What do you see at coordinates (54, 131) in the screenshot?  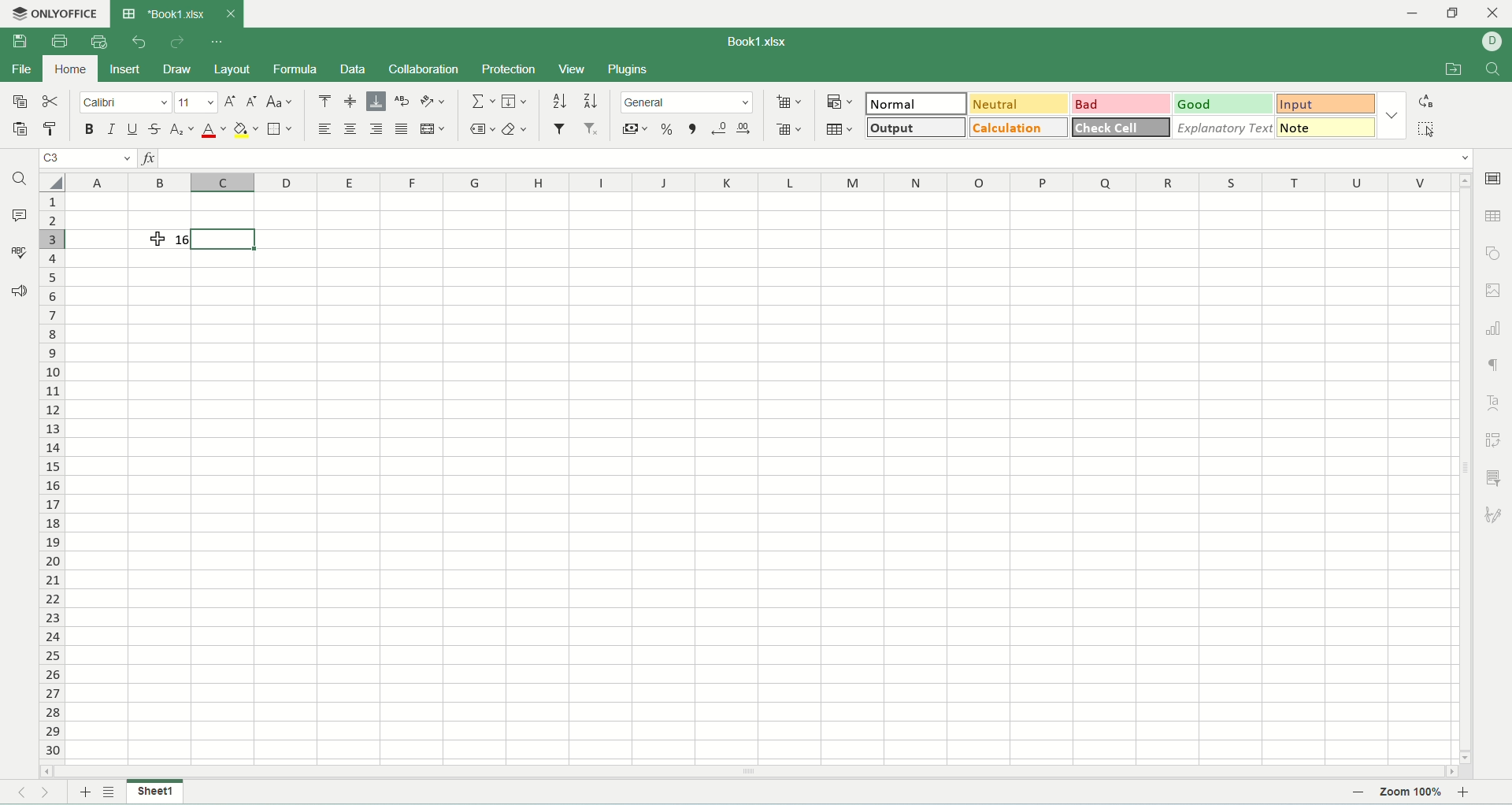 I see `copy style` at bounding box center [54, 131].